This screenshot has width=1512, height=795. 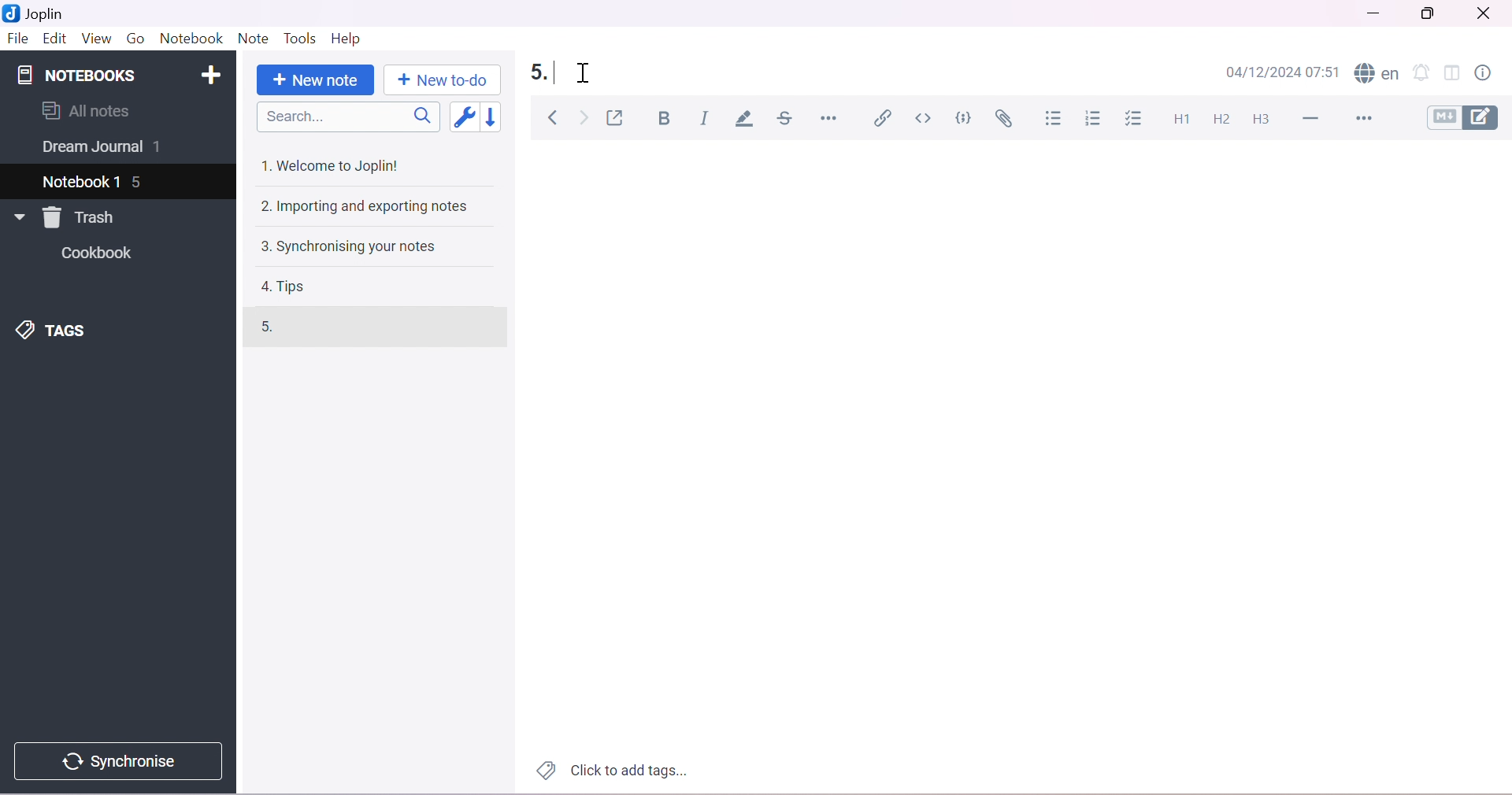 I want to click on Close, so click(x=1488, y=13).